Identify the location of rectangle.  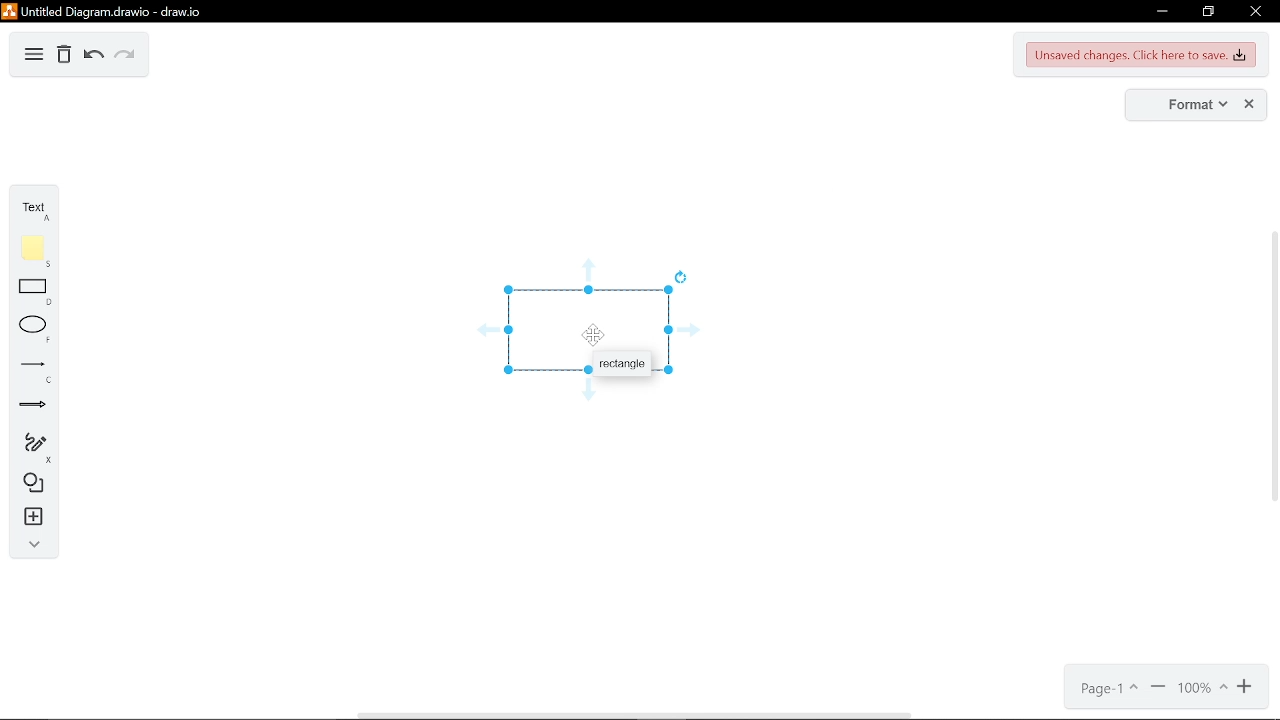
(36, 294).